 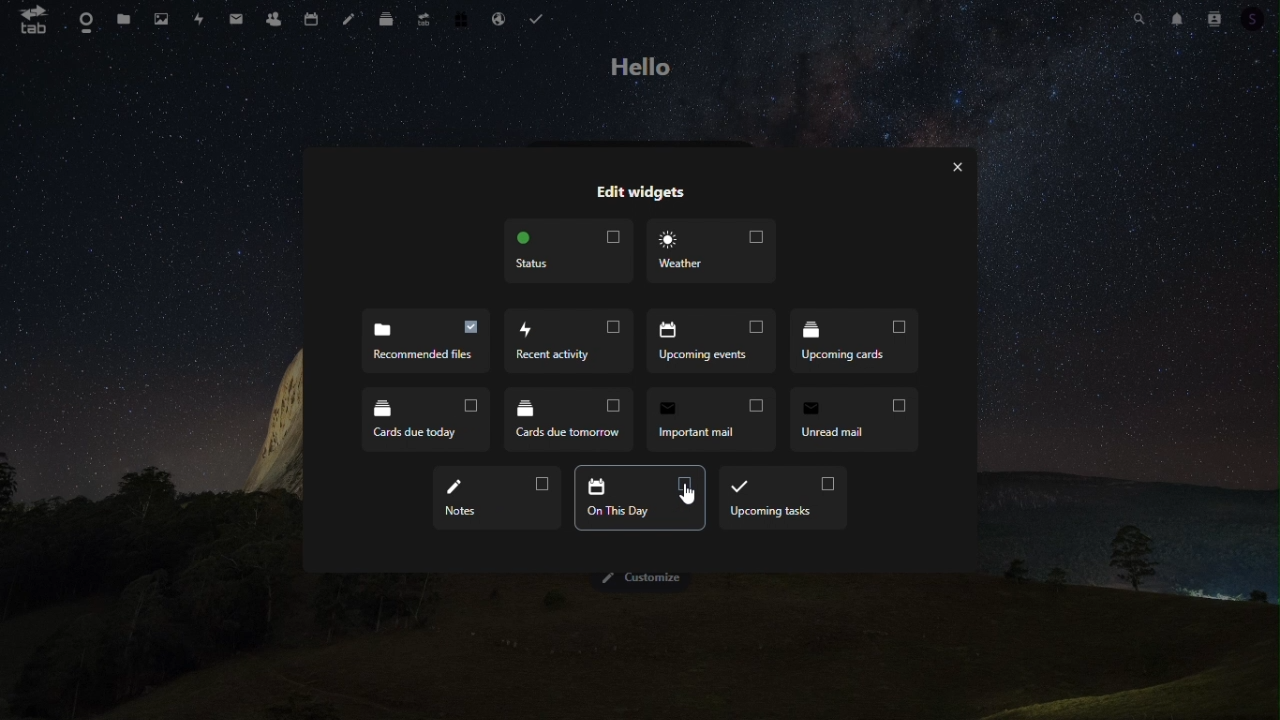 What do you see at coordinates (34, 22) in the screenshot?
I see `tab` at bounding box center [34, 22].